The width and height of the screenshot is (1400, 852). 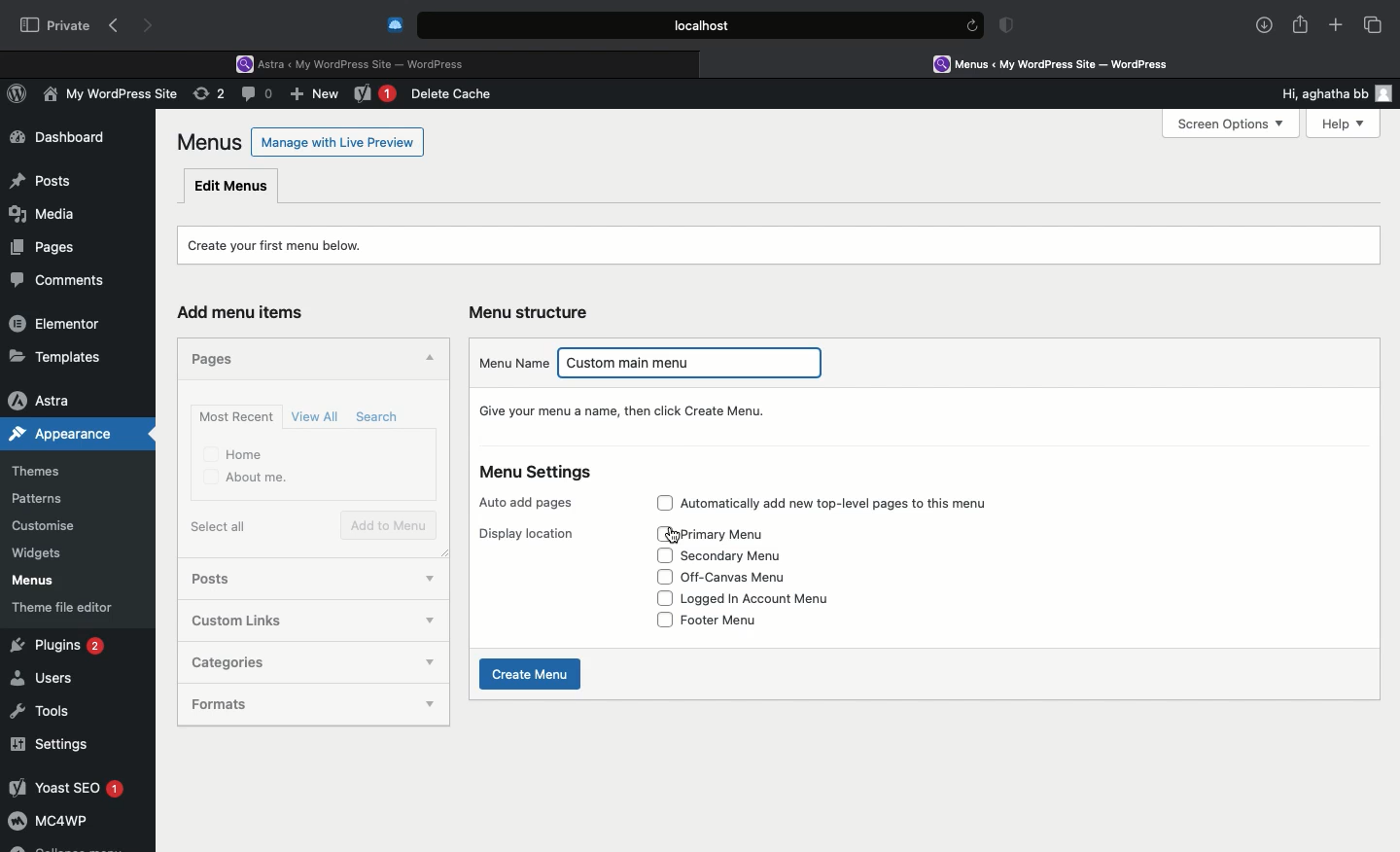 What do you see at coordinates (65, 787) in the screenshot?
I see `Yoast SEO 1` at bounding box center [65, 787].